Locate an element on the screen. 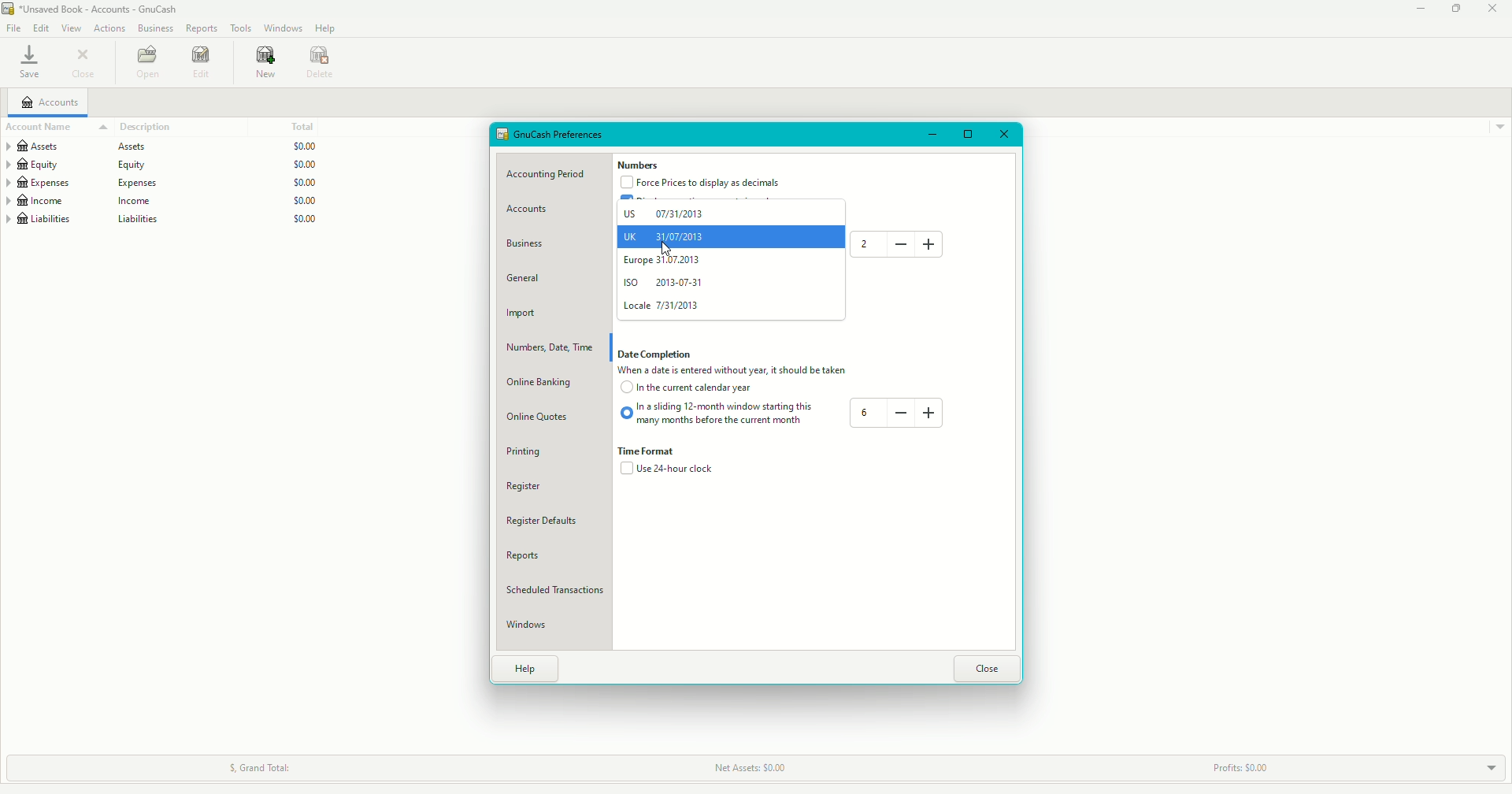  Close is located at coordinates (1003, 133).